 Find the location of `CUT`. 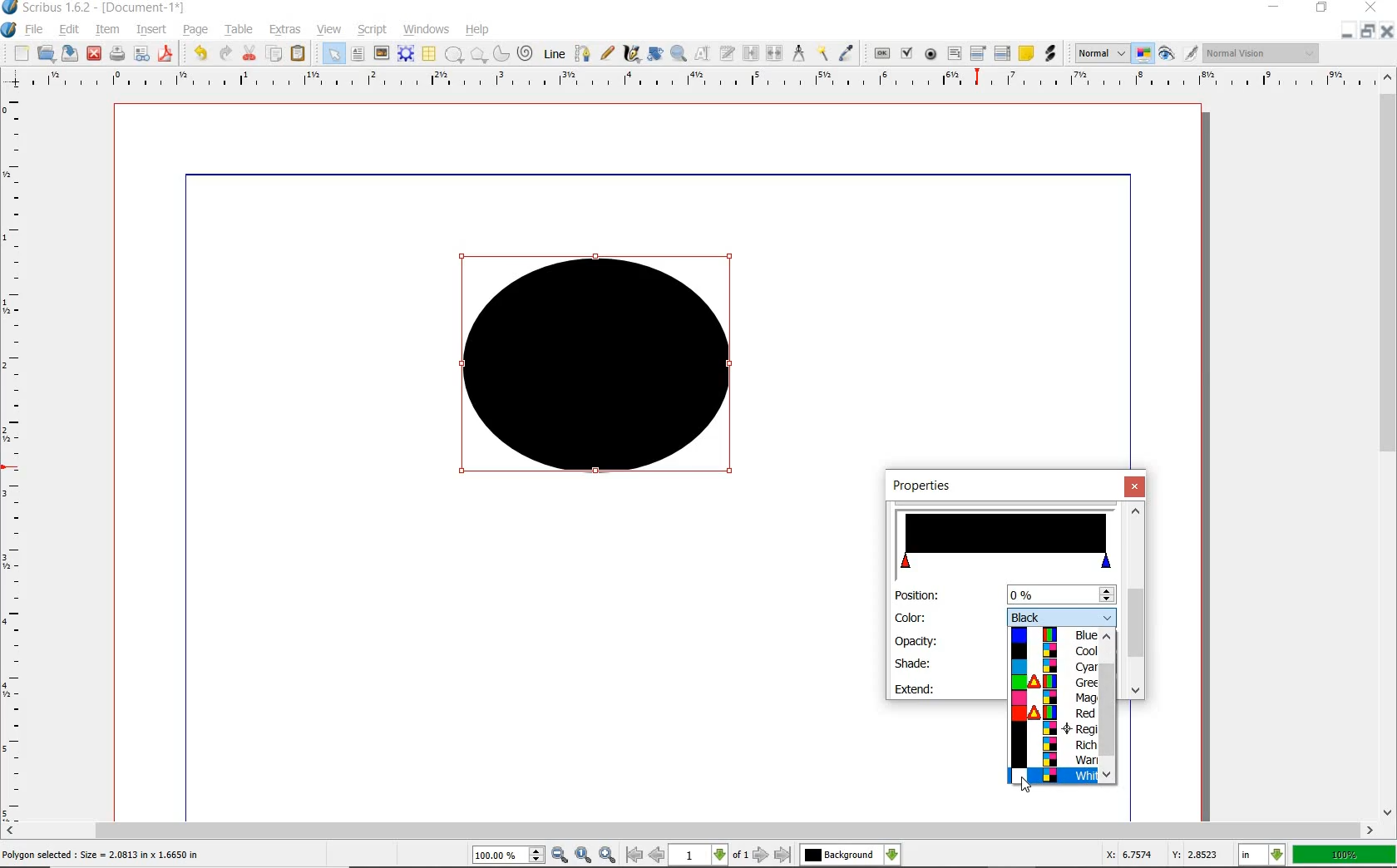

CUT is located at coordinates (250, 52).